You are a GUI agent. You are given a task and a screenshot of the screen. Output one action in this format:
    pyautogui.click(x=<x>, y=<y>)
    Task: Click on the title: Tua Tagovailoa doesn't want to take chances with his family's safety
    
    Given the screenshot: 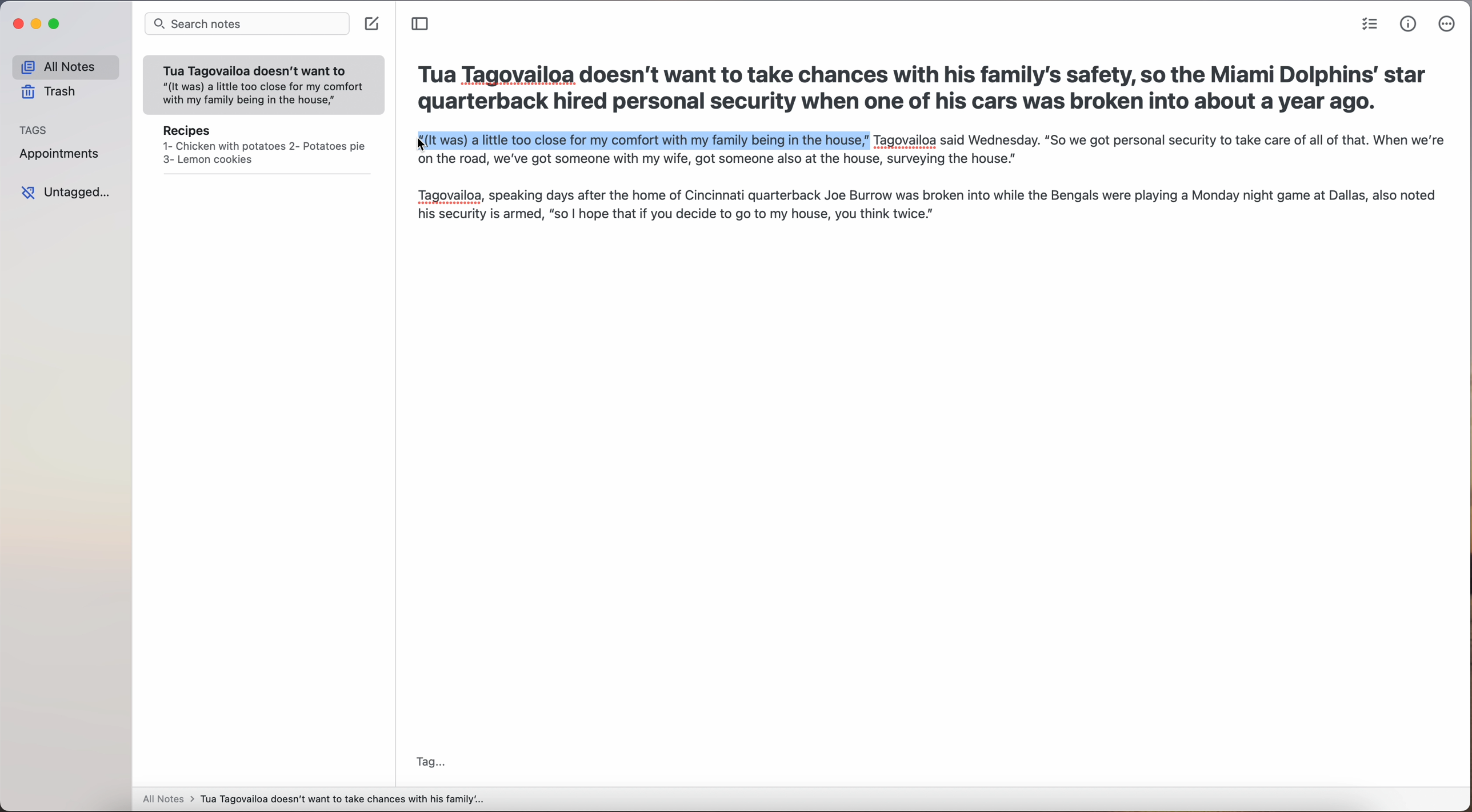 What is the action you would take?
    pyautogui.click(x=923, y=91)
    